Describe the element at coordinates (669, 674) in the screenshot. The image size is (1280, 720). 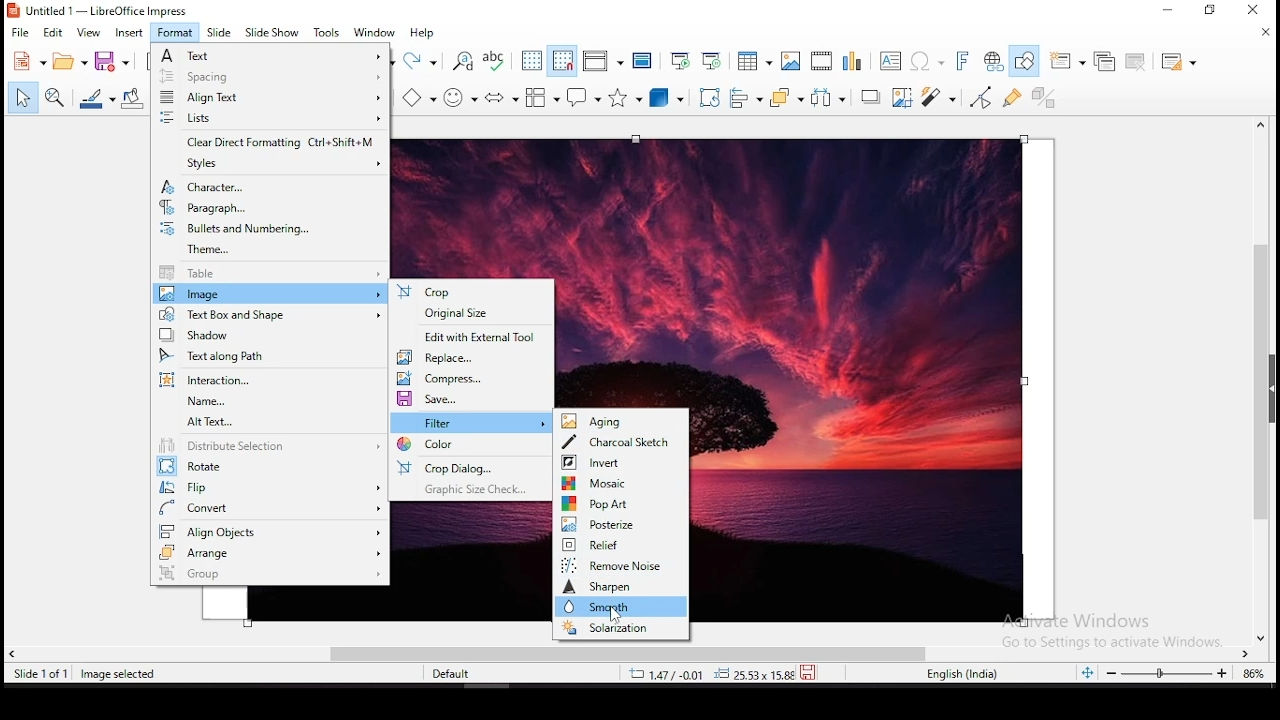
I see `12.40/4.25` at that location.